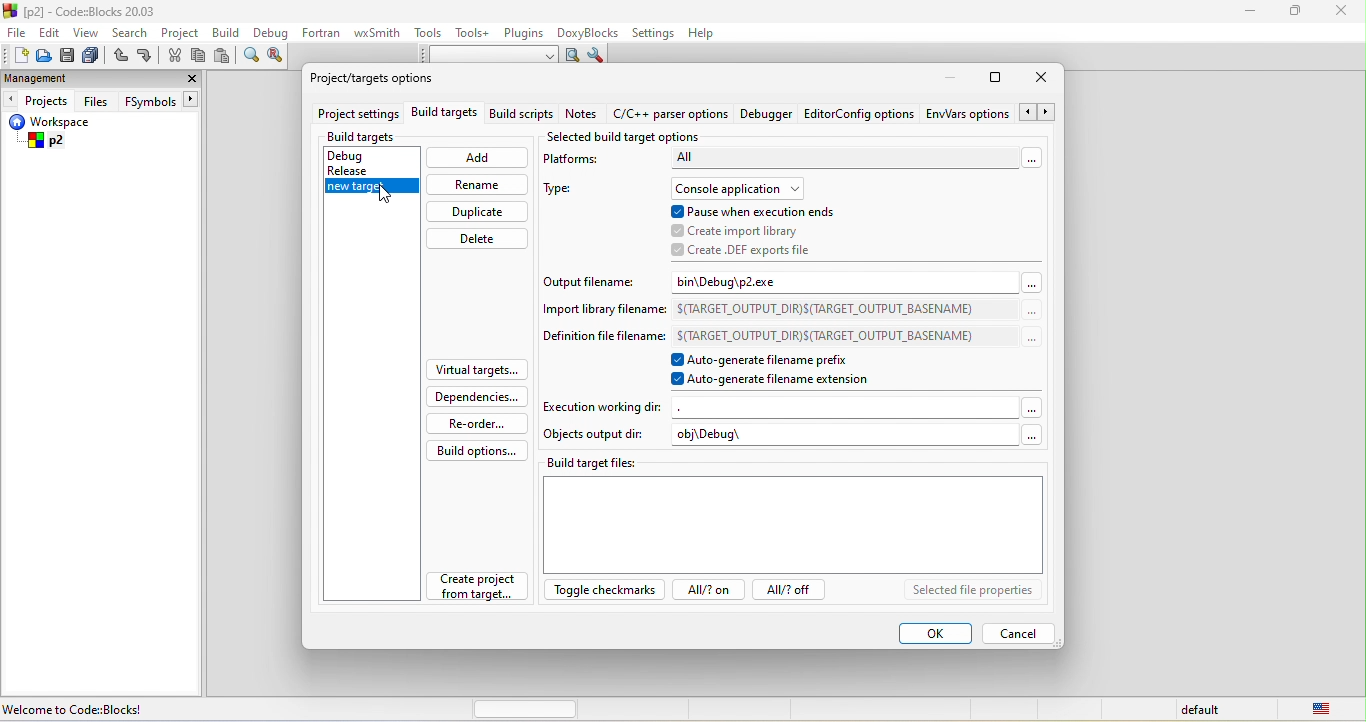 This screenshot has width=1366, height=722. I want to click on help, so click(710, 34).